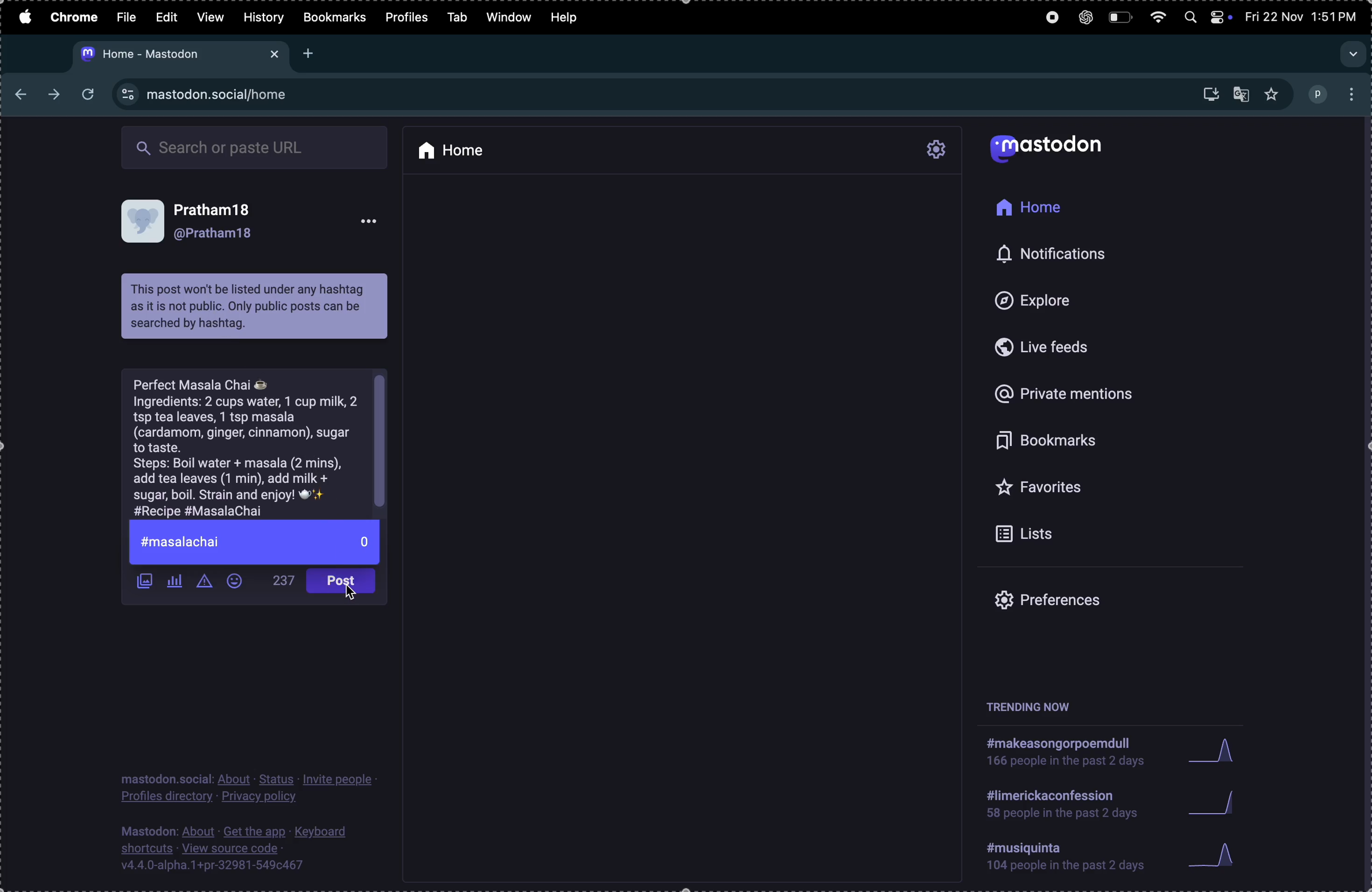  I want to click on favourites, so click(1071, 490).